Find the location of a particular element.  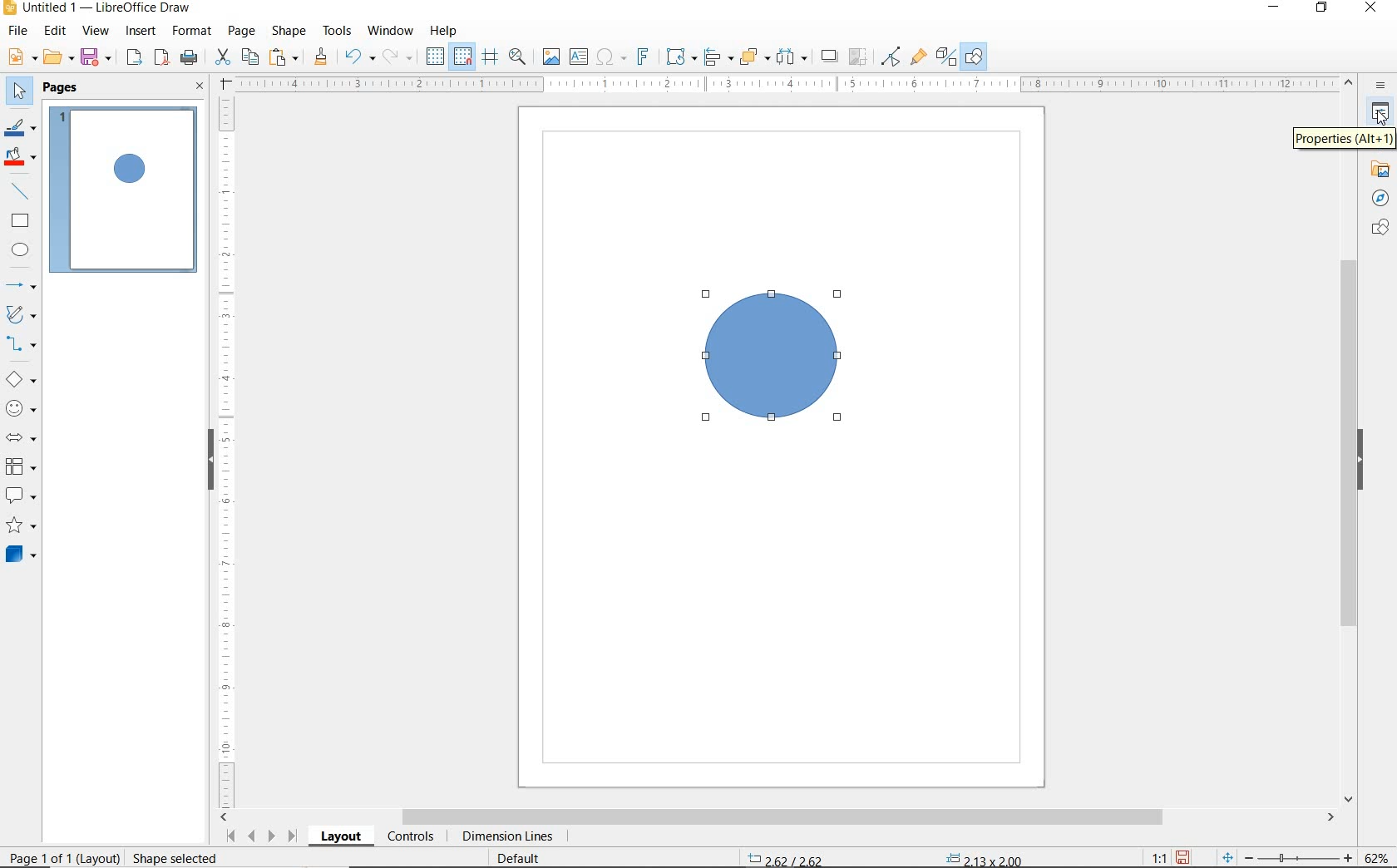

INSERT SPECIAL CHARACTERS is located at coordinates (614, 57).